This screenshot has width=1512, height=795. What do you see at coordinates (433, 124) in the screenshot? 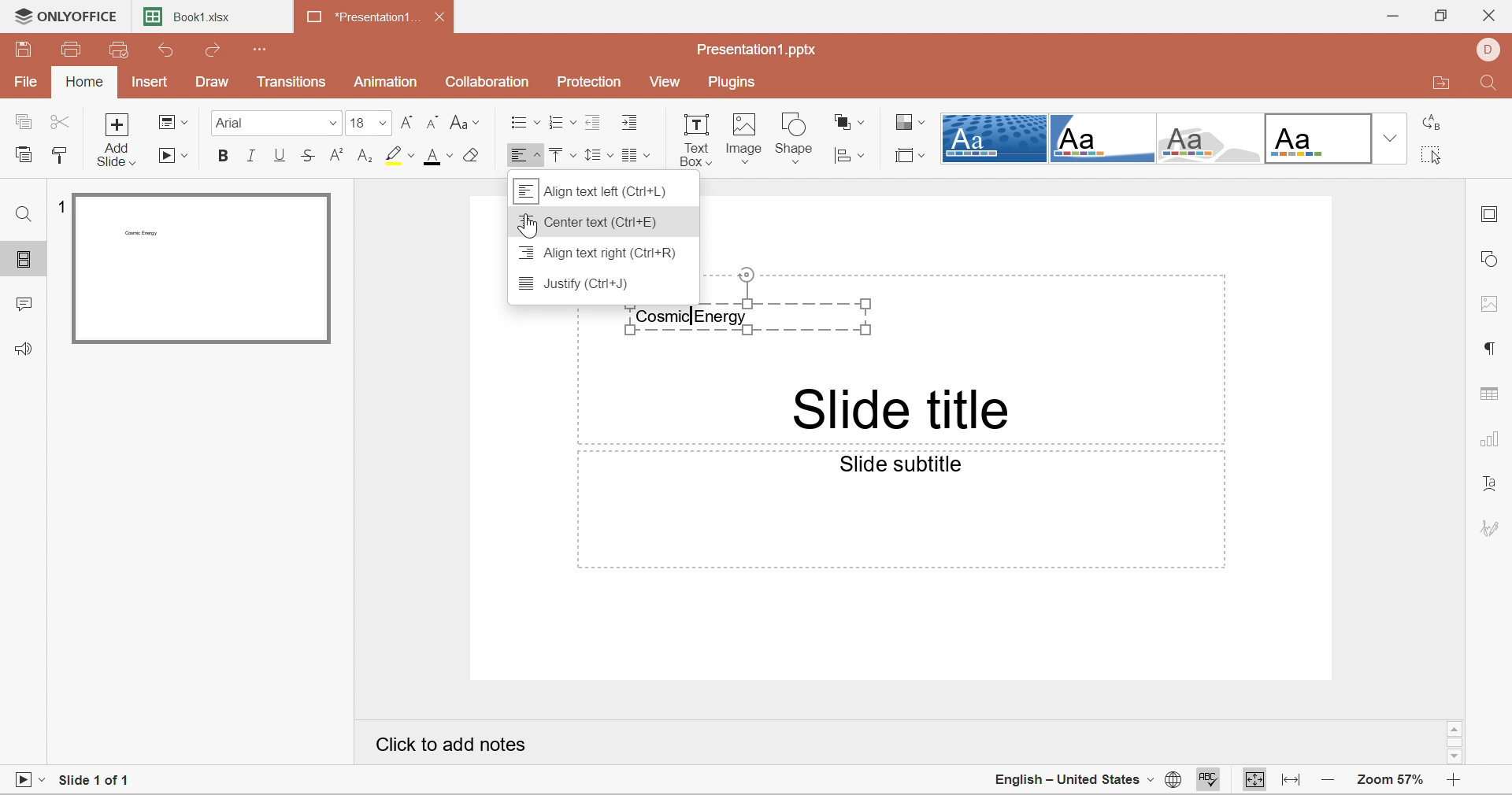
I see `Decrement font size` at bounding box center [433, 124].